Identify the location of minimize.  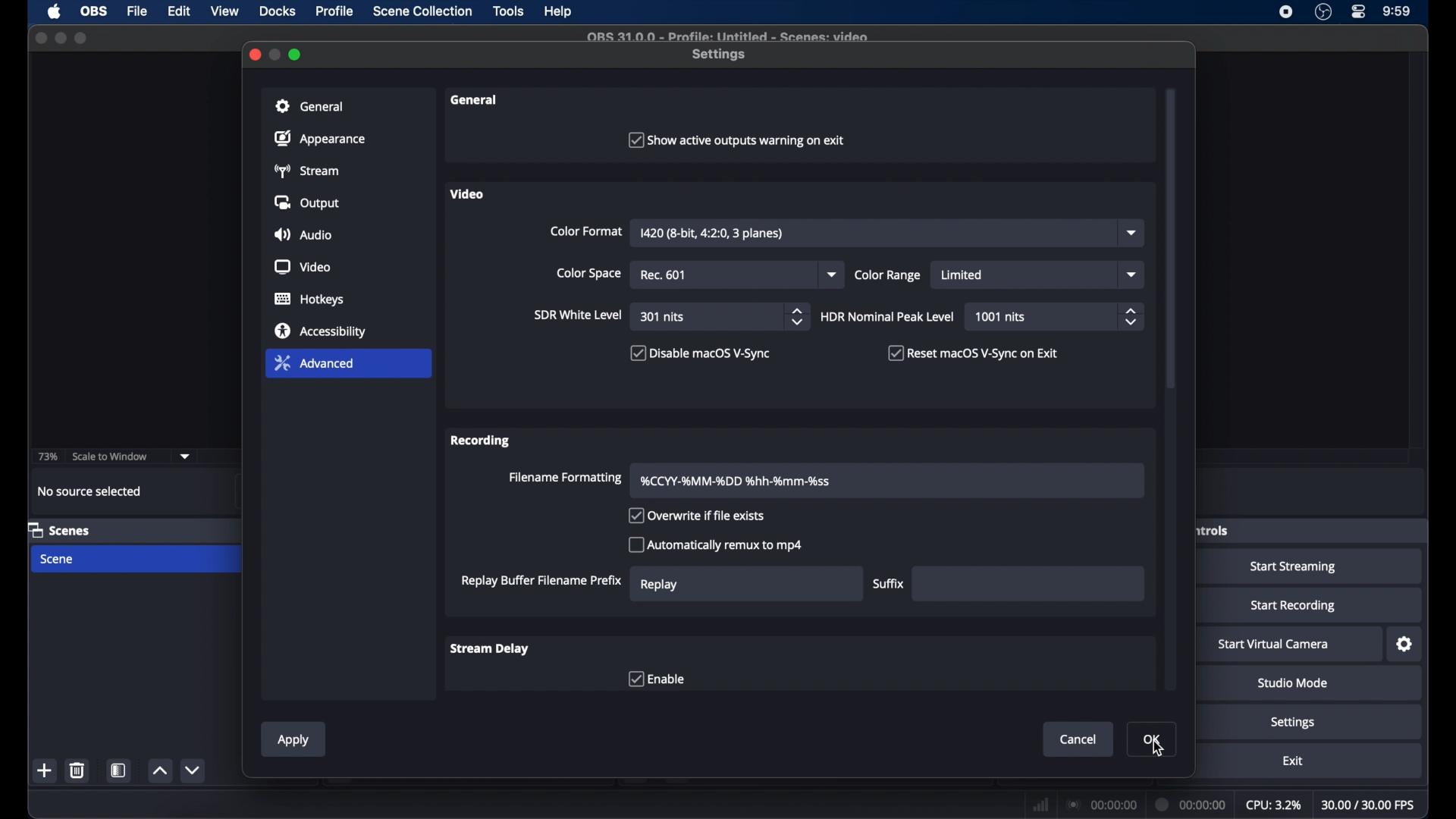
(276, 55).